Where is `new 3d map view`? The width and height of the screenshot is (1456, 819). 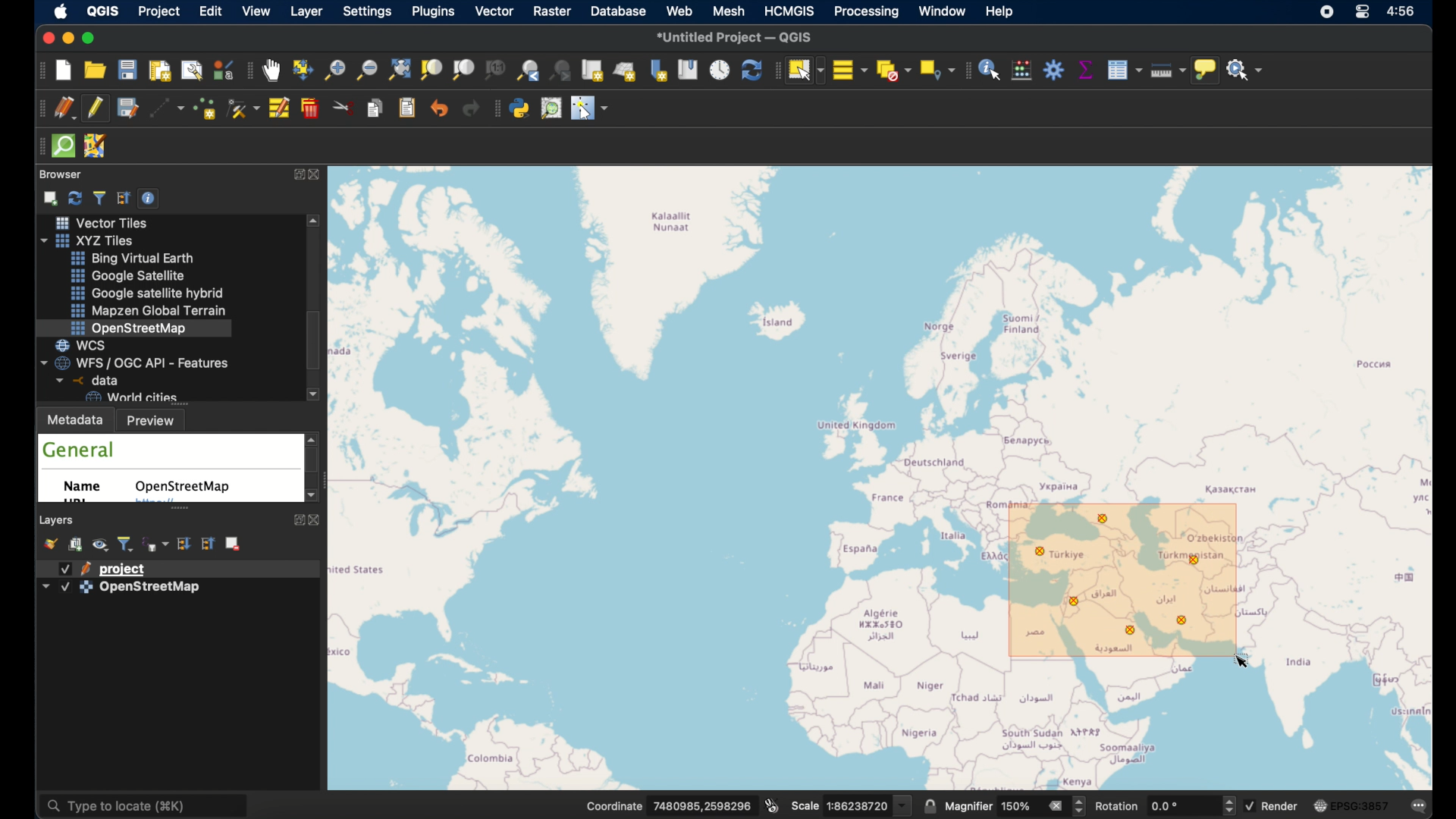 new 3d map view is located at coordinates (626, 71).